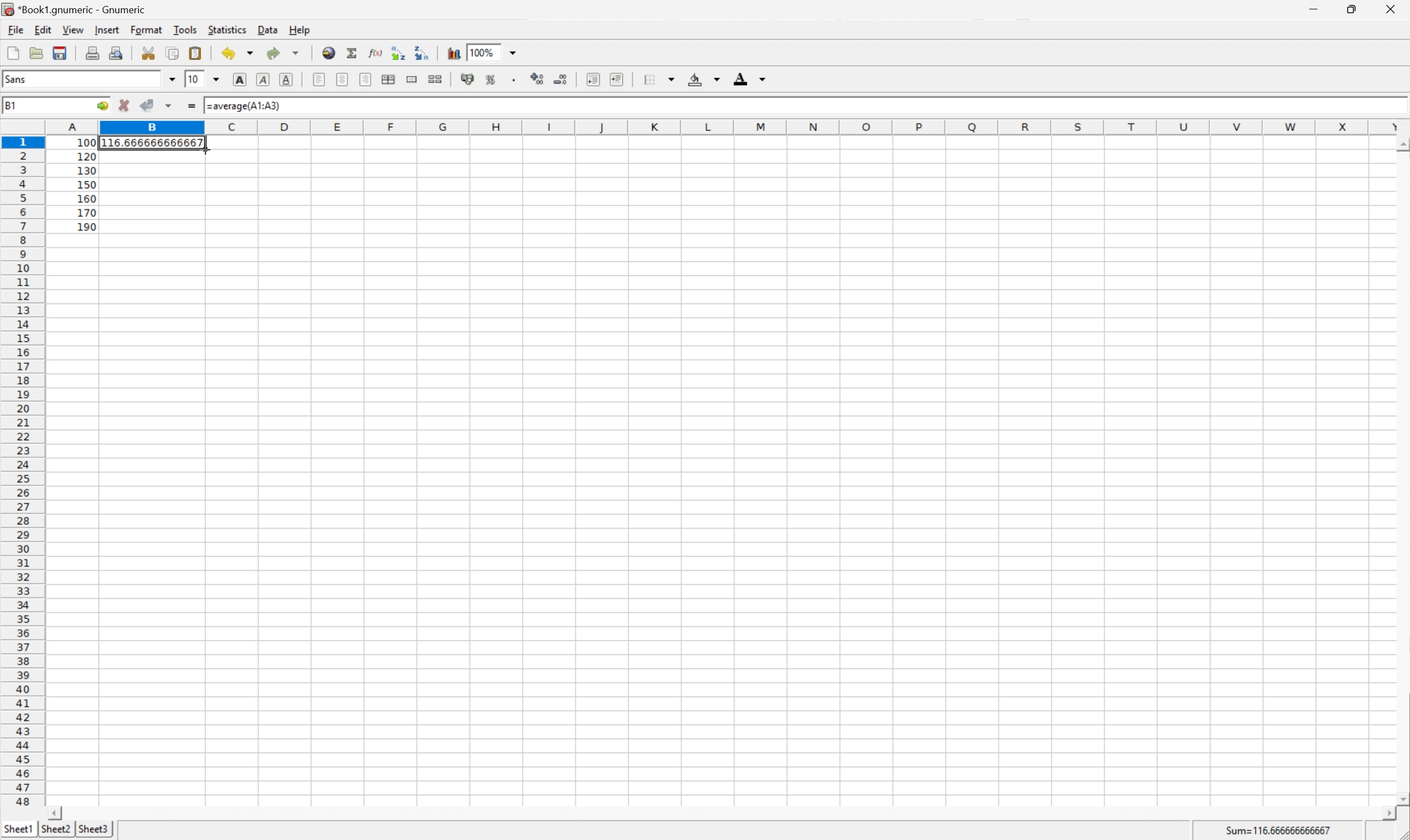 The image size is (1410, 840). Describe the element at coordinates (470, 79) in the screenshot. I see `Format the selection as accounting` at that location.